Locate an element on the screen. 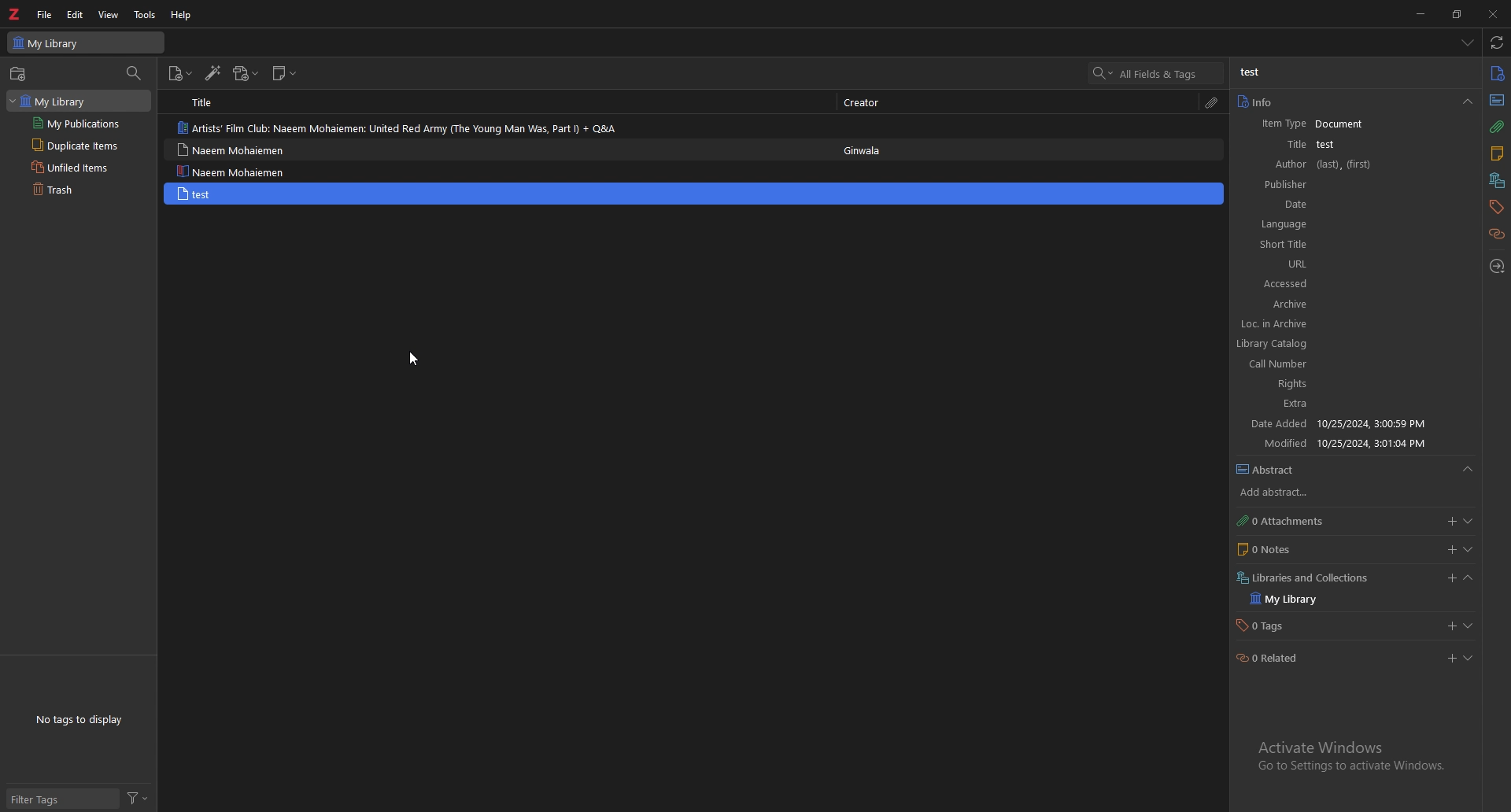 The image size is (1511, 812). 0Attachment is located at coordinates (1279, 519).